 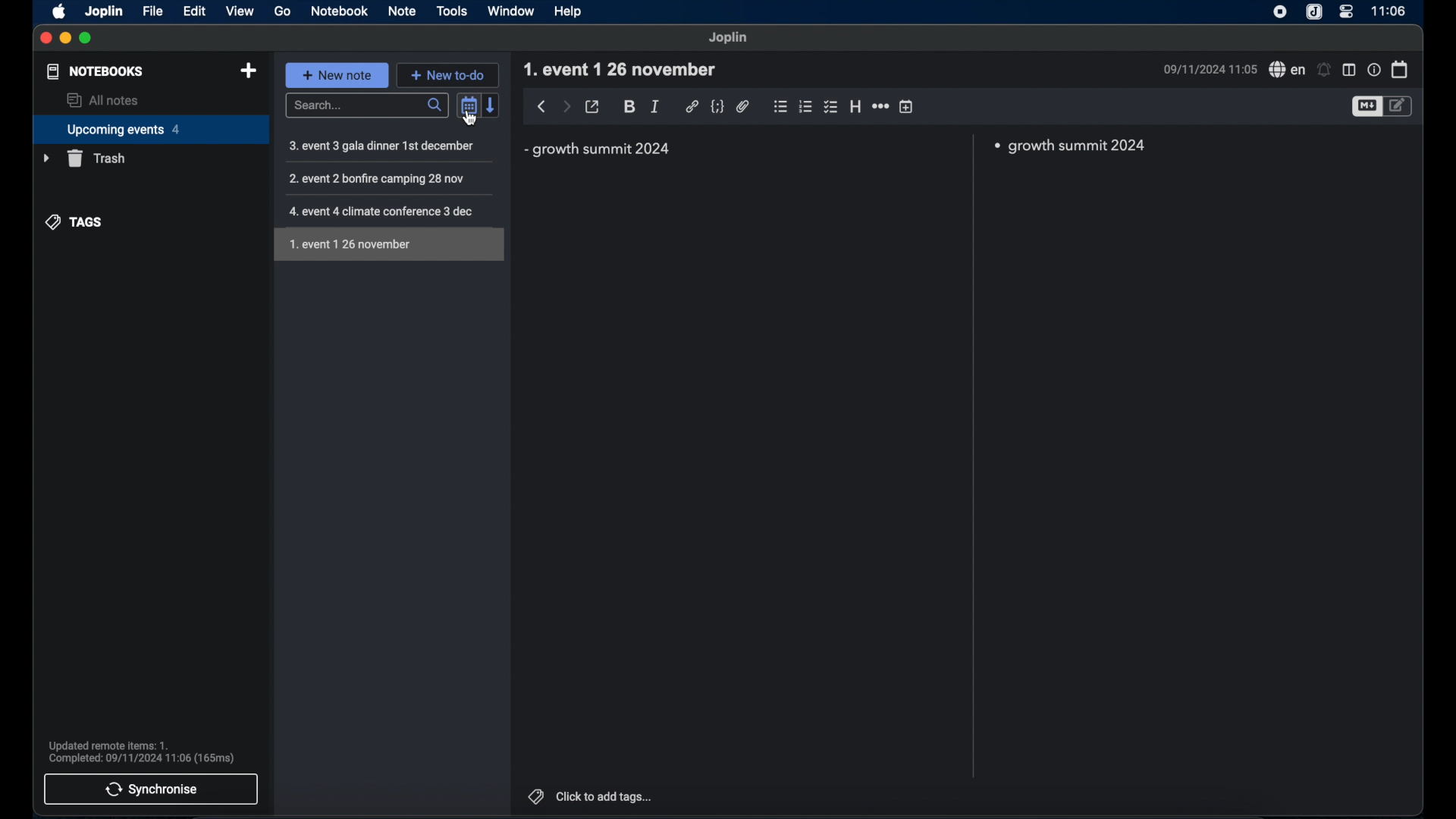 I want to click on italic, so click(x=655, y=106).